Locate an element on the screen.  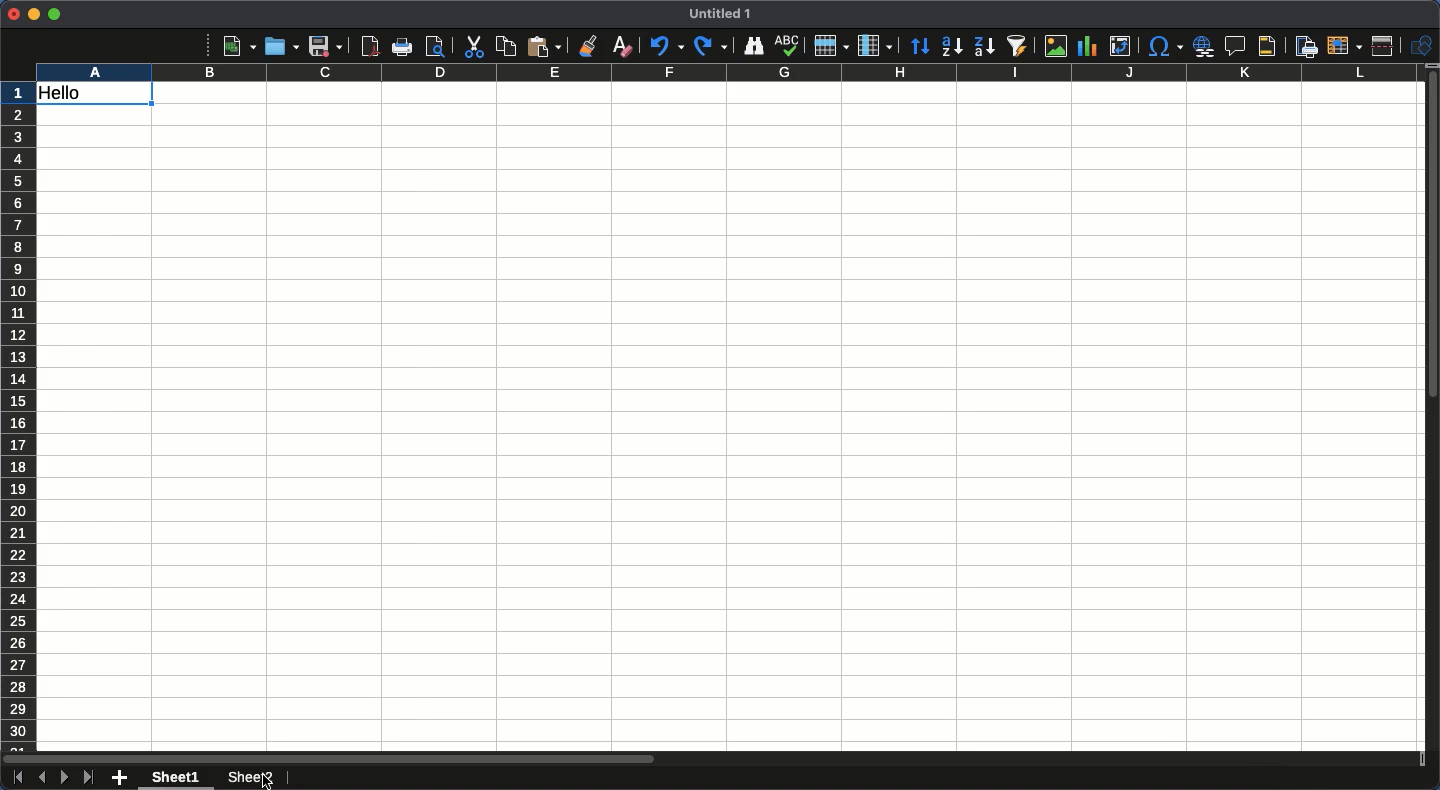
Define print area is located at coordinates (1305, 47).